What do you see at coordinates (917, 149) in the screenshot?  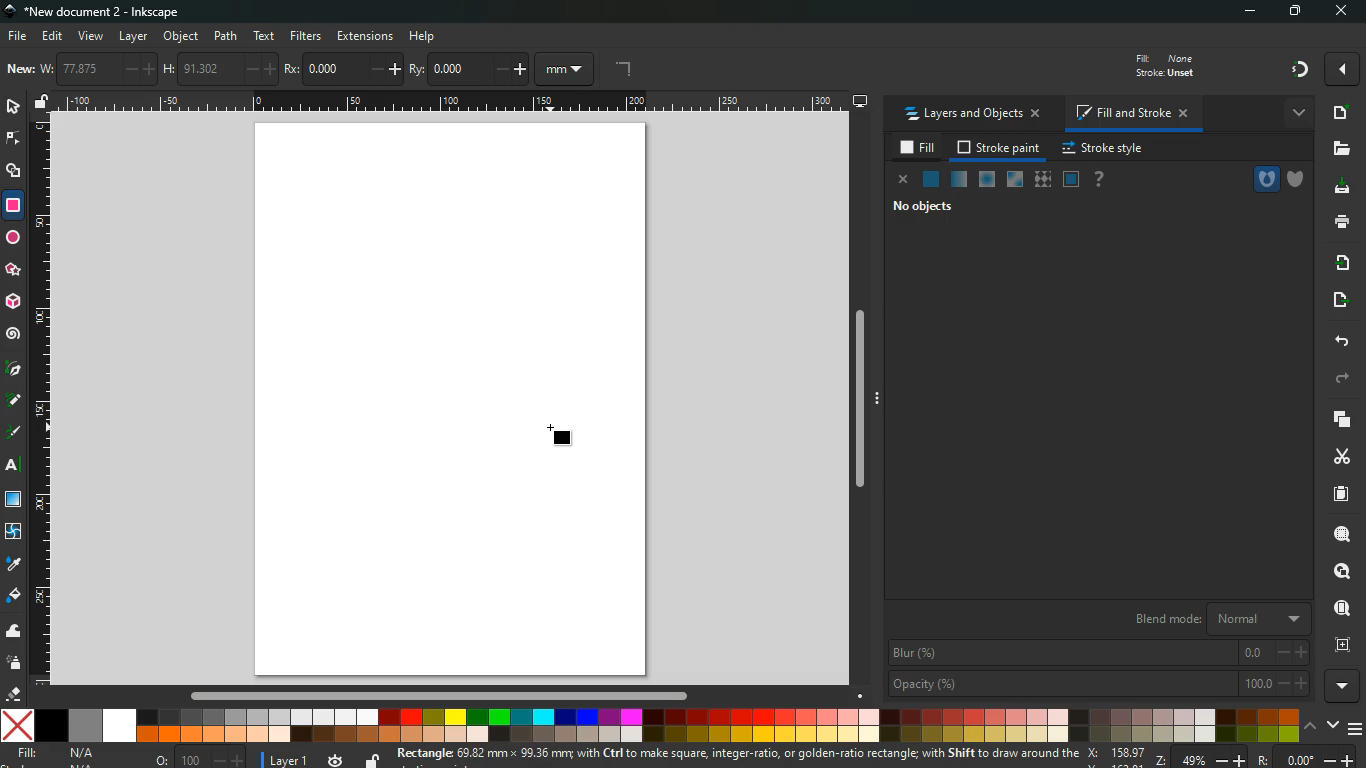 I see `fill` at bounding box center [917, 149].